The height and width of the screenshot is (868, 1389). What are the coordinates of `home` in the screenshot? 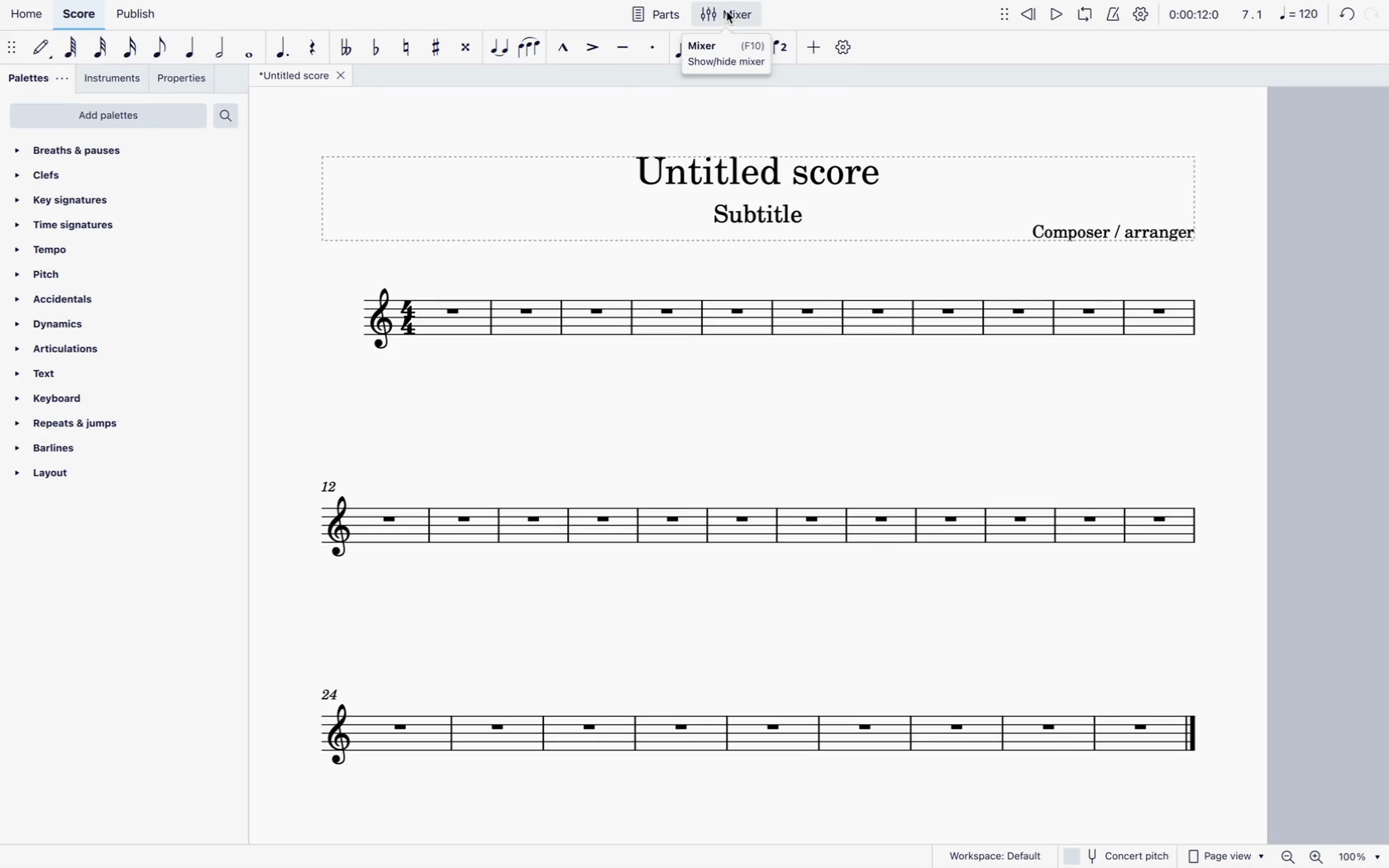 It's located at (26, 17).